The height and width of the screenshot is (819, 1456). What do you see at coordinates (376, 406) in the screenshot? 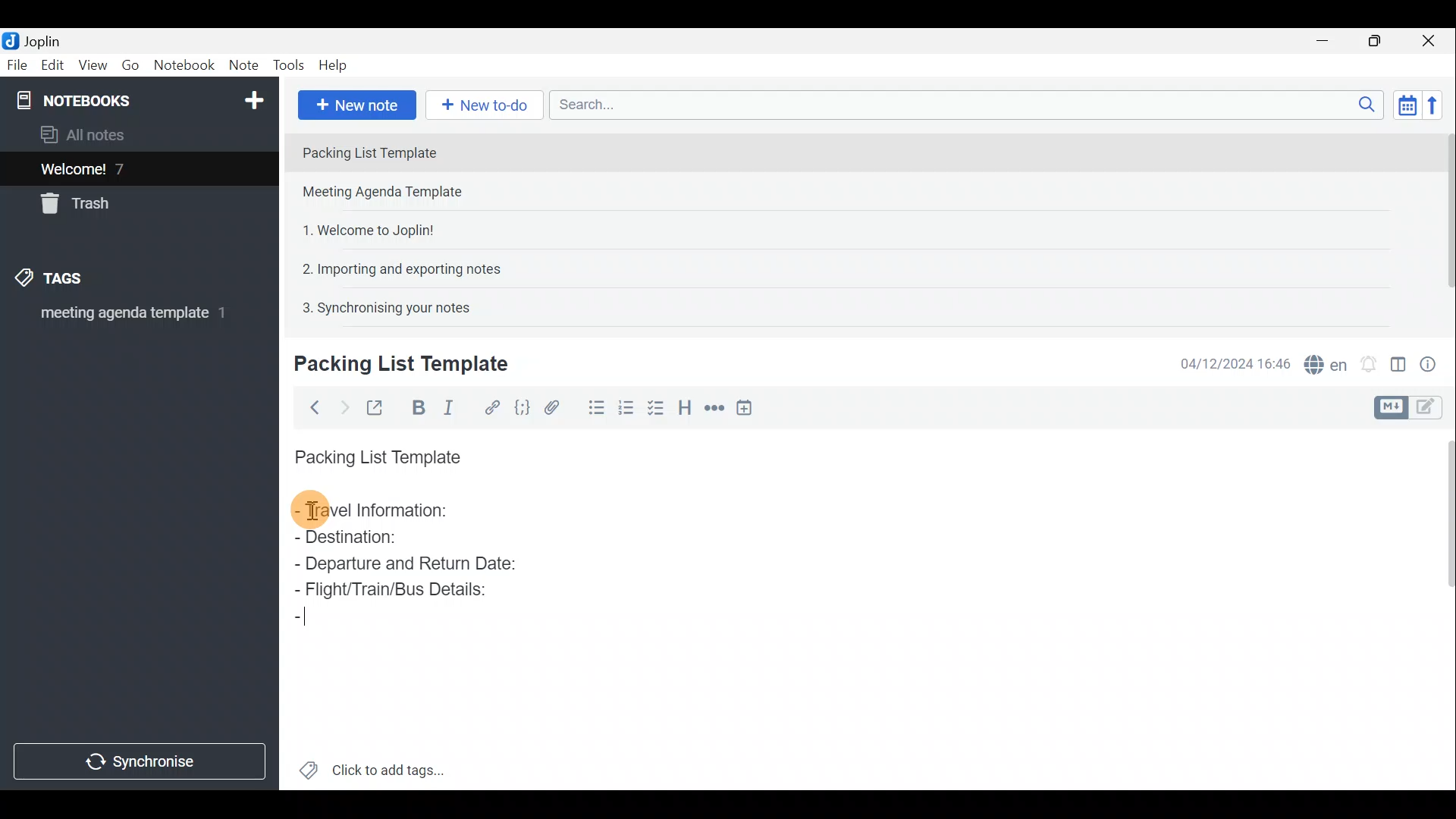
I see `Toggle external editing` at bounding box center [376, 406].